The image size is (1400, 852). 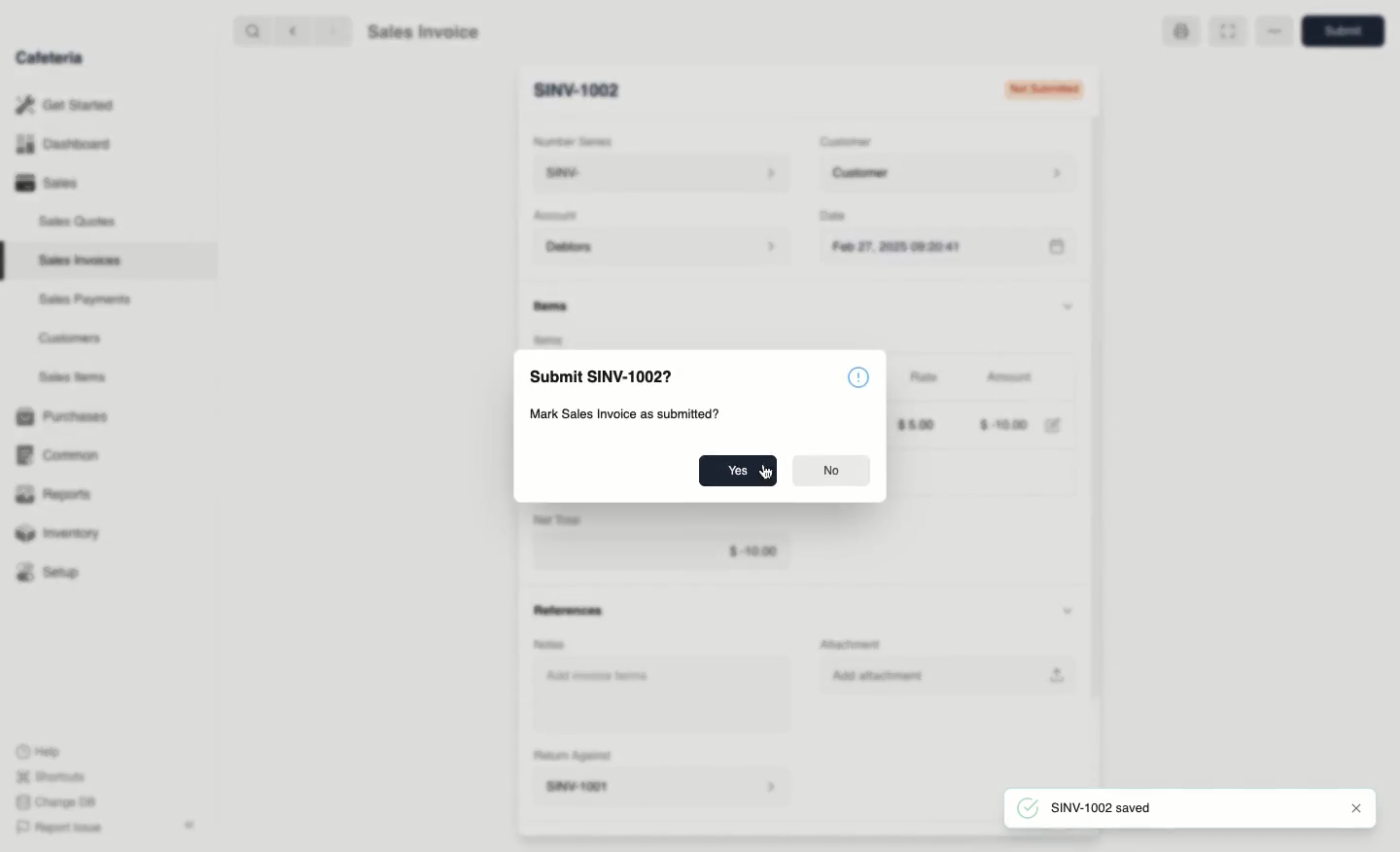 I want to click on Submit SINV-1002?, so click(x=607, y=377).